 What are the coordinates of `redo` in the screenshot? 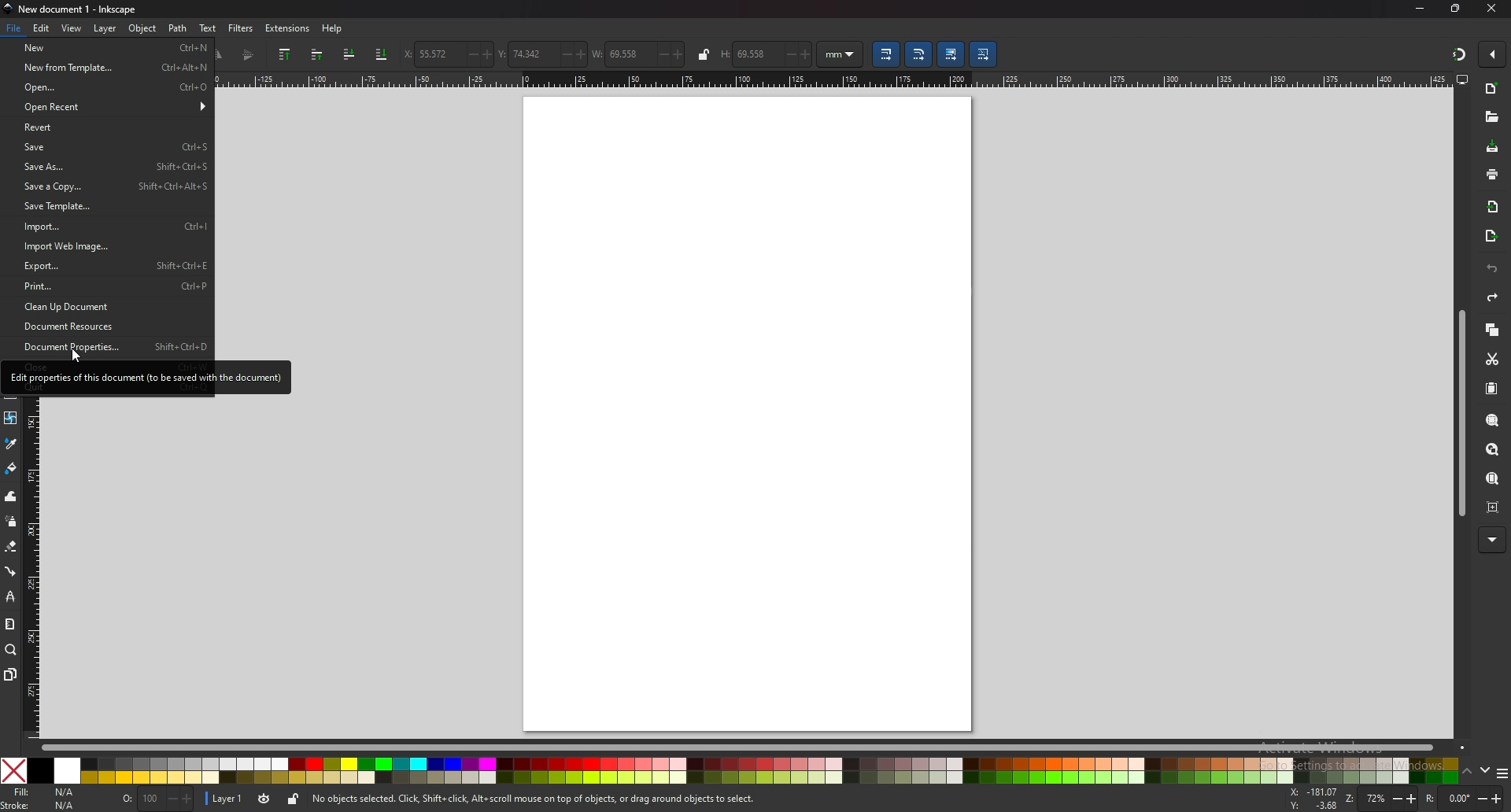 It's located at (1493, 297).